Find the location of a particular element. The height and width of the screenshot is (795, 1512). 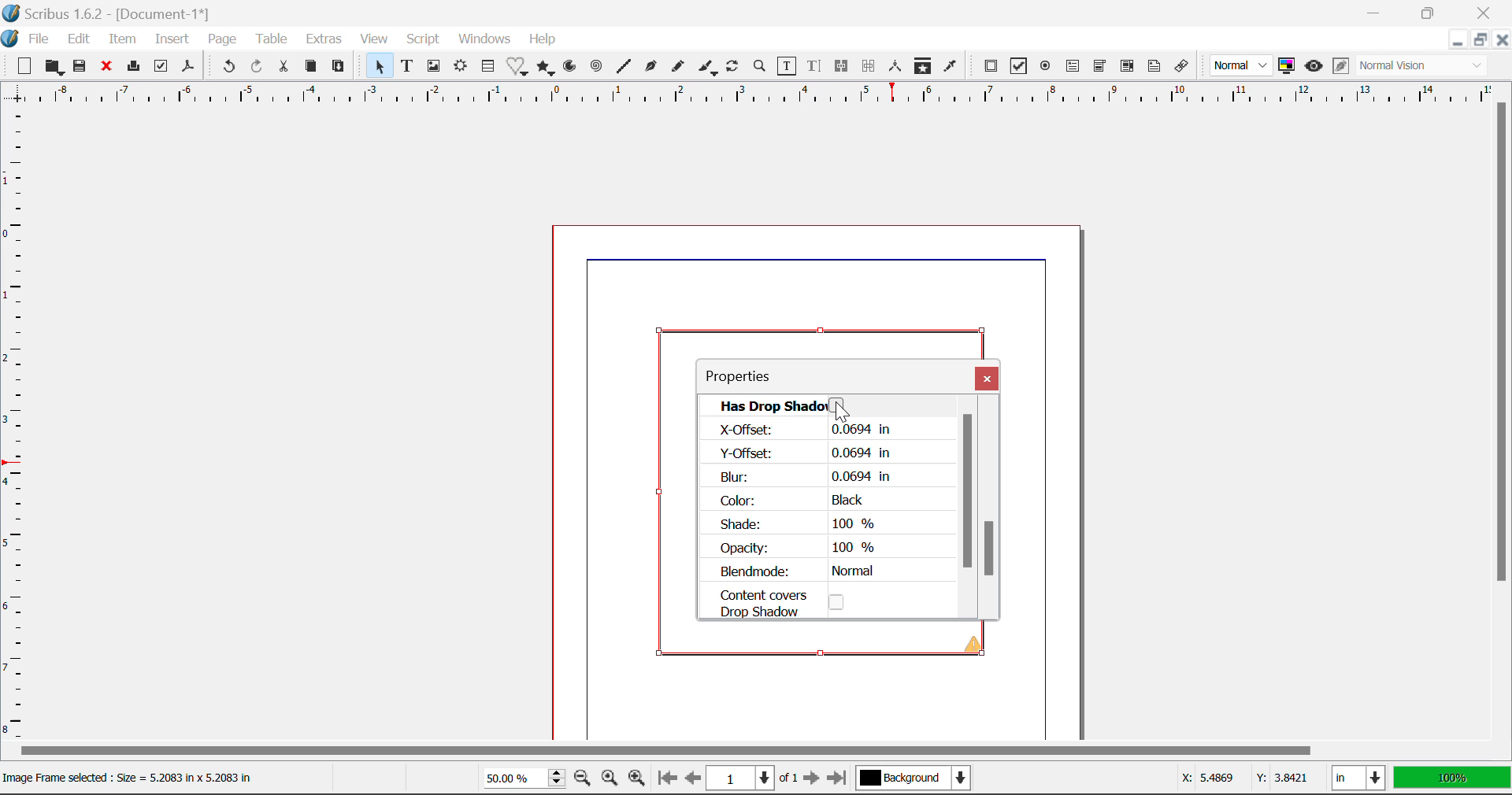

100% is located at coordinates (1454, 778).